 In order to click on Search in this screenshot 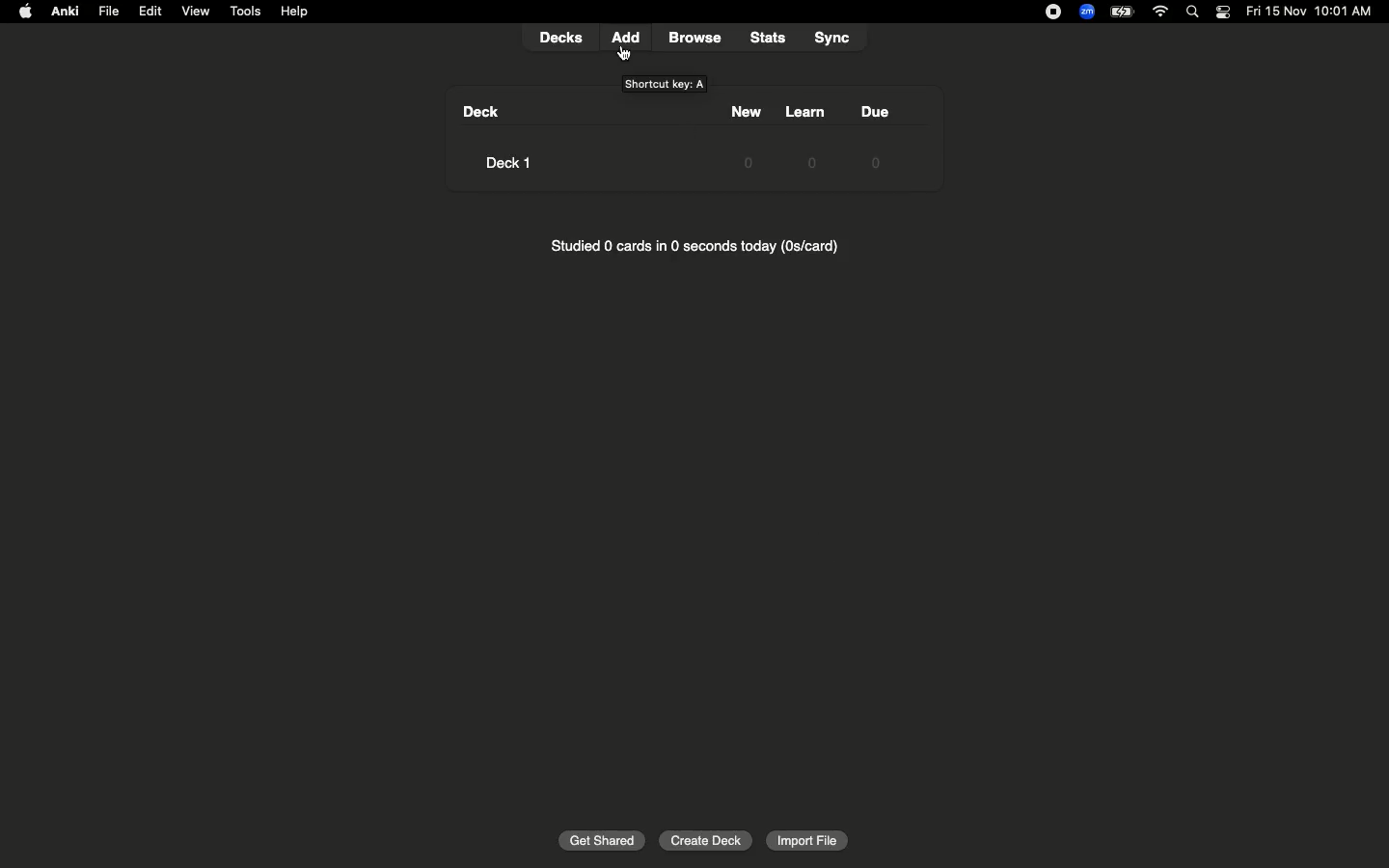, I will do `click(1195, 13)`.